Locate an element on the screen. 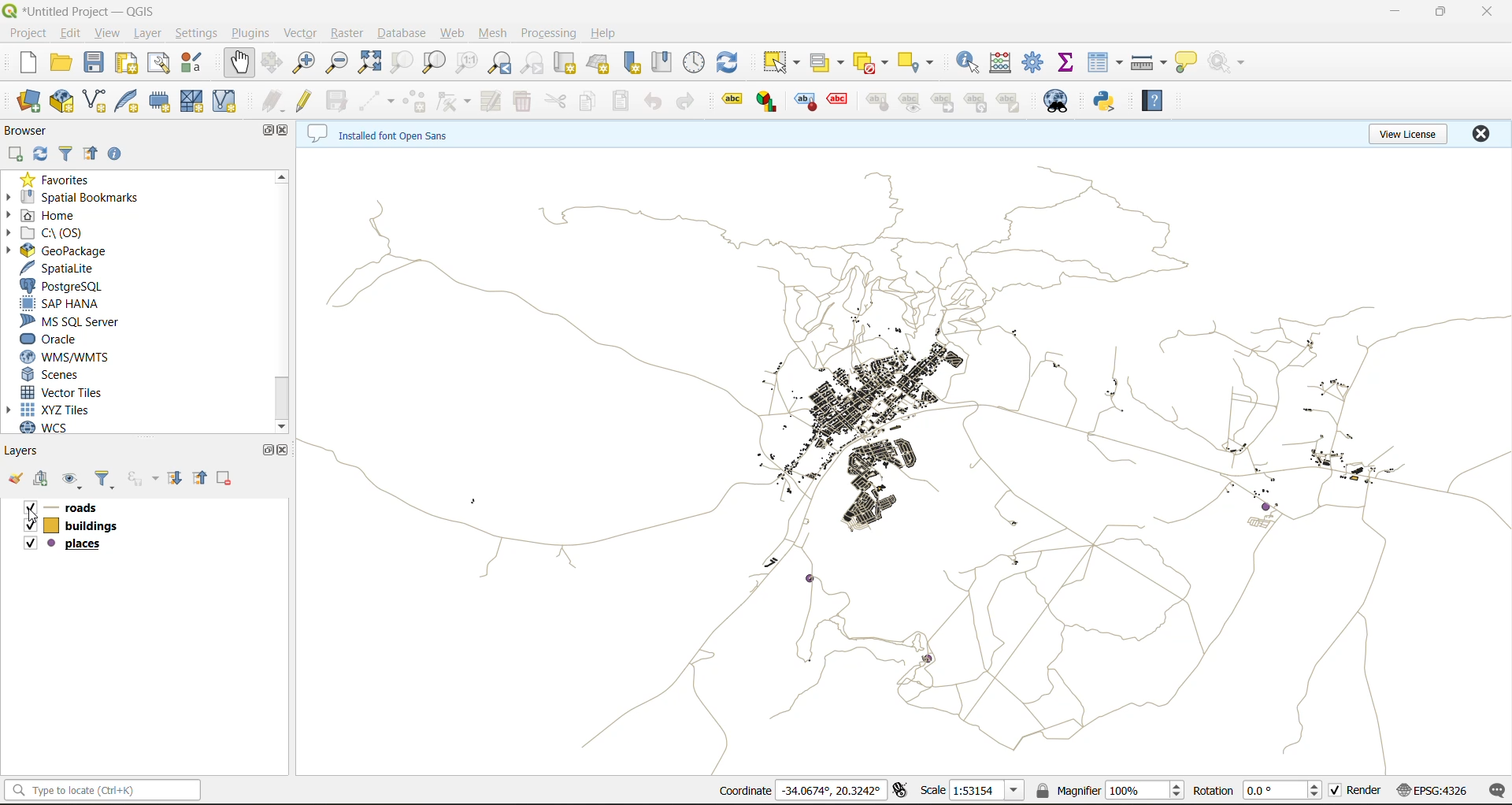 The width and height of the screenshot is (1512, 805). collapse all is located at coordinates (94, 155).